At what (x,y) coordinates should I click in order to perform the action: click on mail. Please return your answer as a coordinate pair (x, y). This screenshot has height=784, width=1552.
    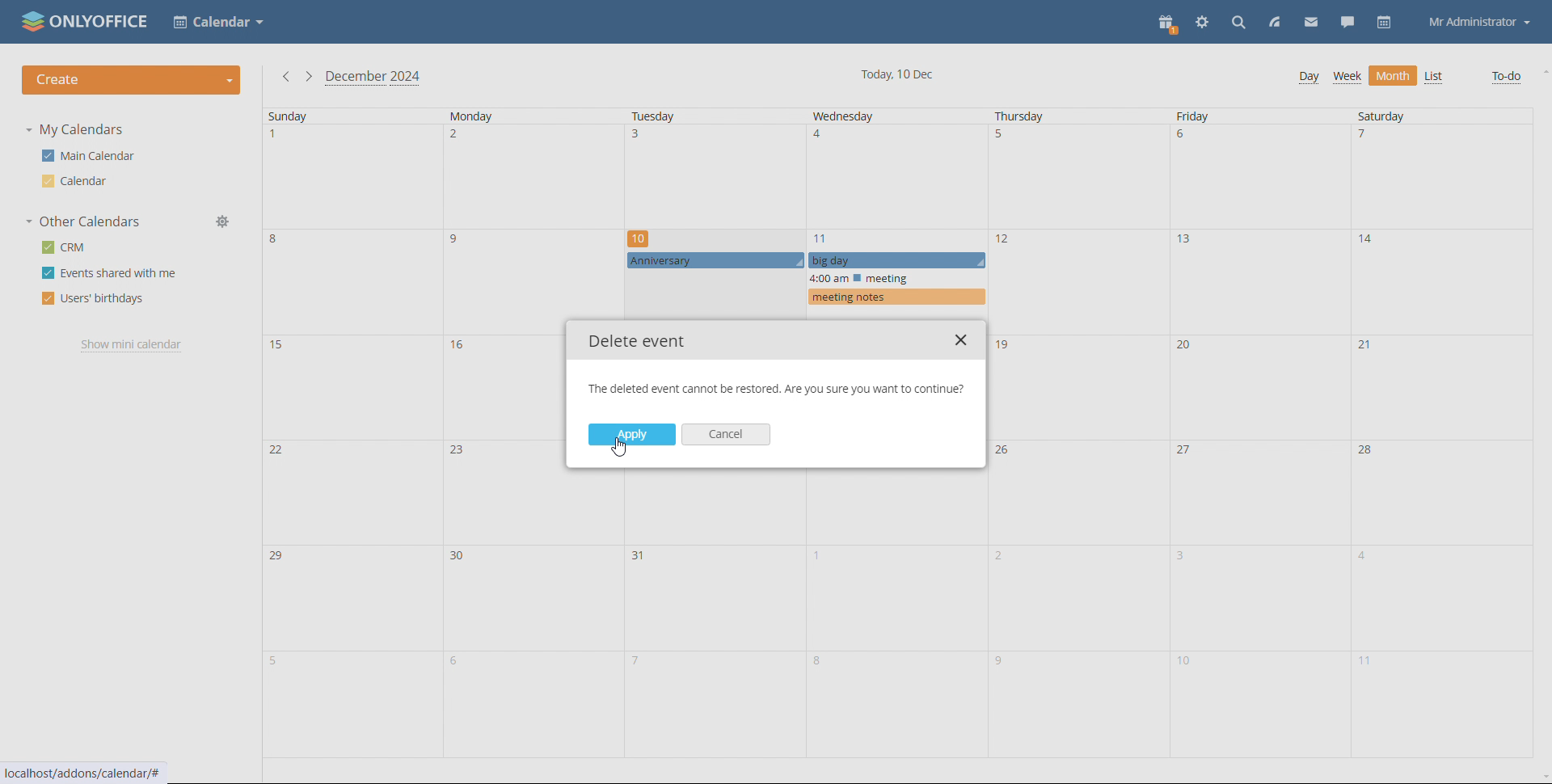
    Looking at the image, I should click on (1311, 23).